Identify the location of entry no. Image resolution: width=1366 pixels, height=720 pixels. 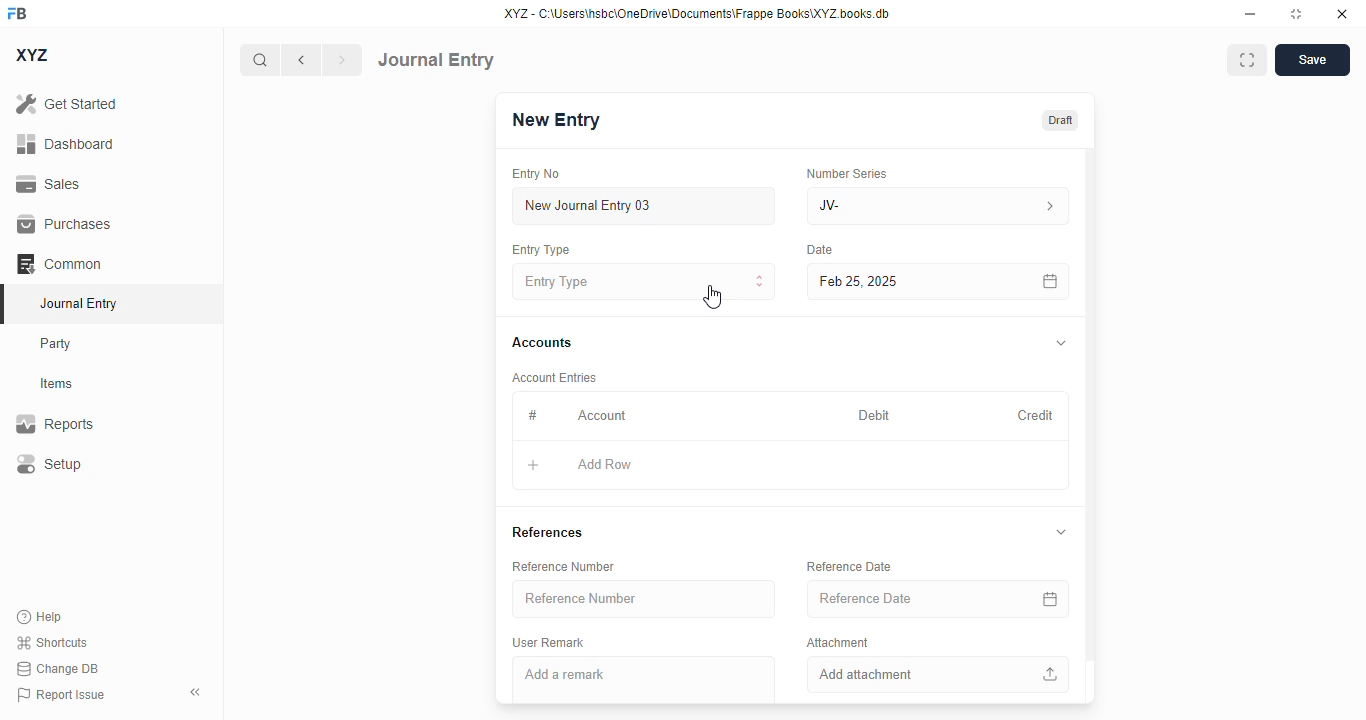
(536, 174).